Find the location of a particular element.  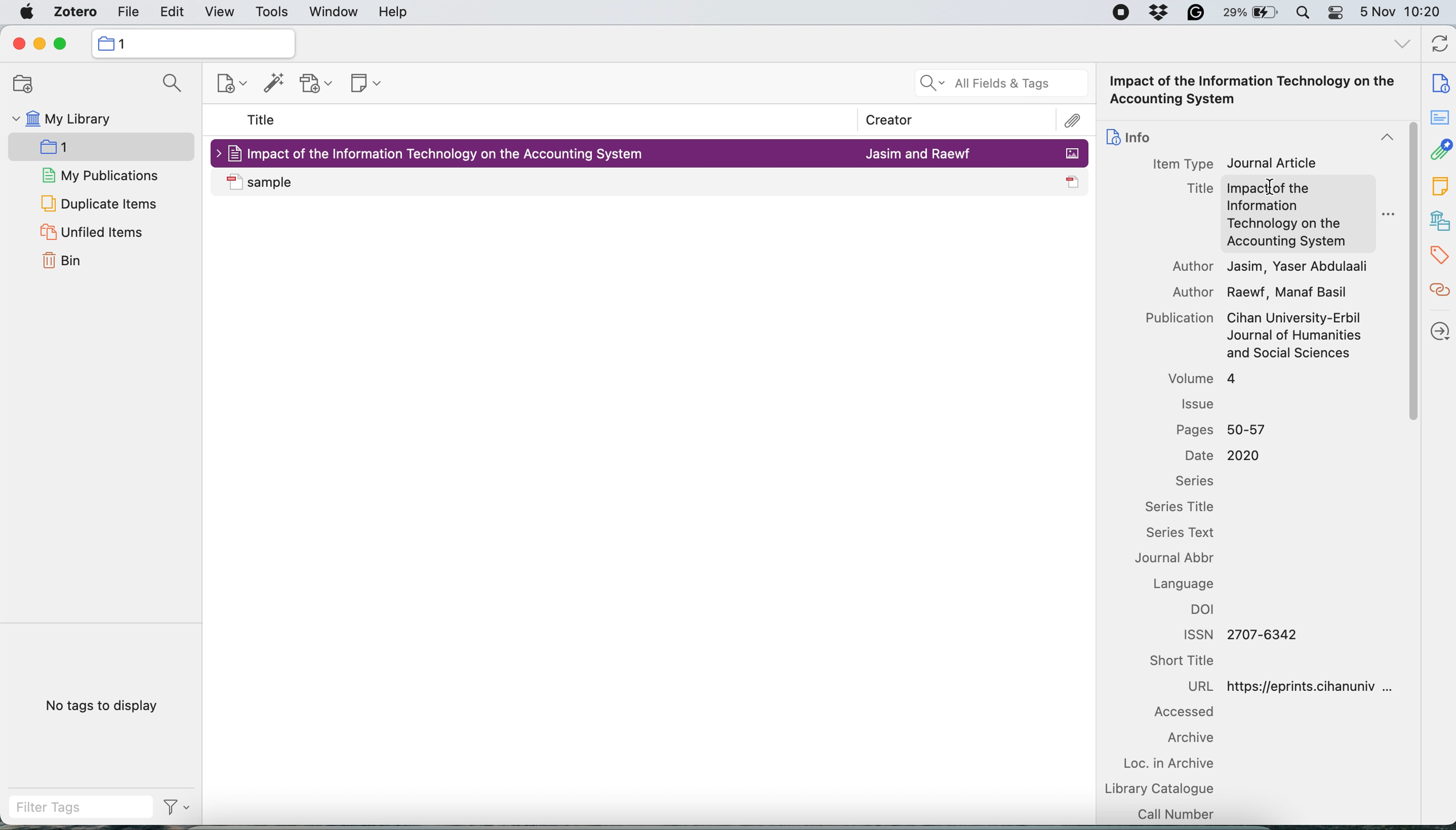

Cihan University-Erbil Journal of Humanities and Social Sciences is located at coordinates (1296, 336).